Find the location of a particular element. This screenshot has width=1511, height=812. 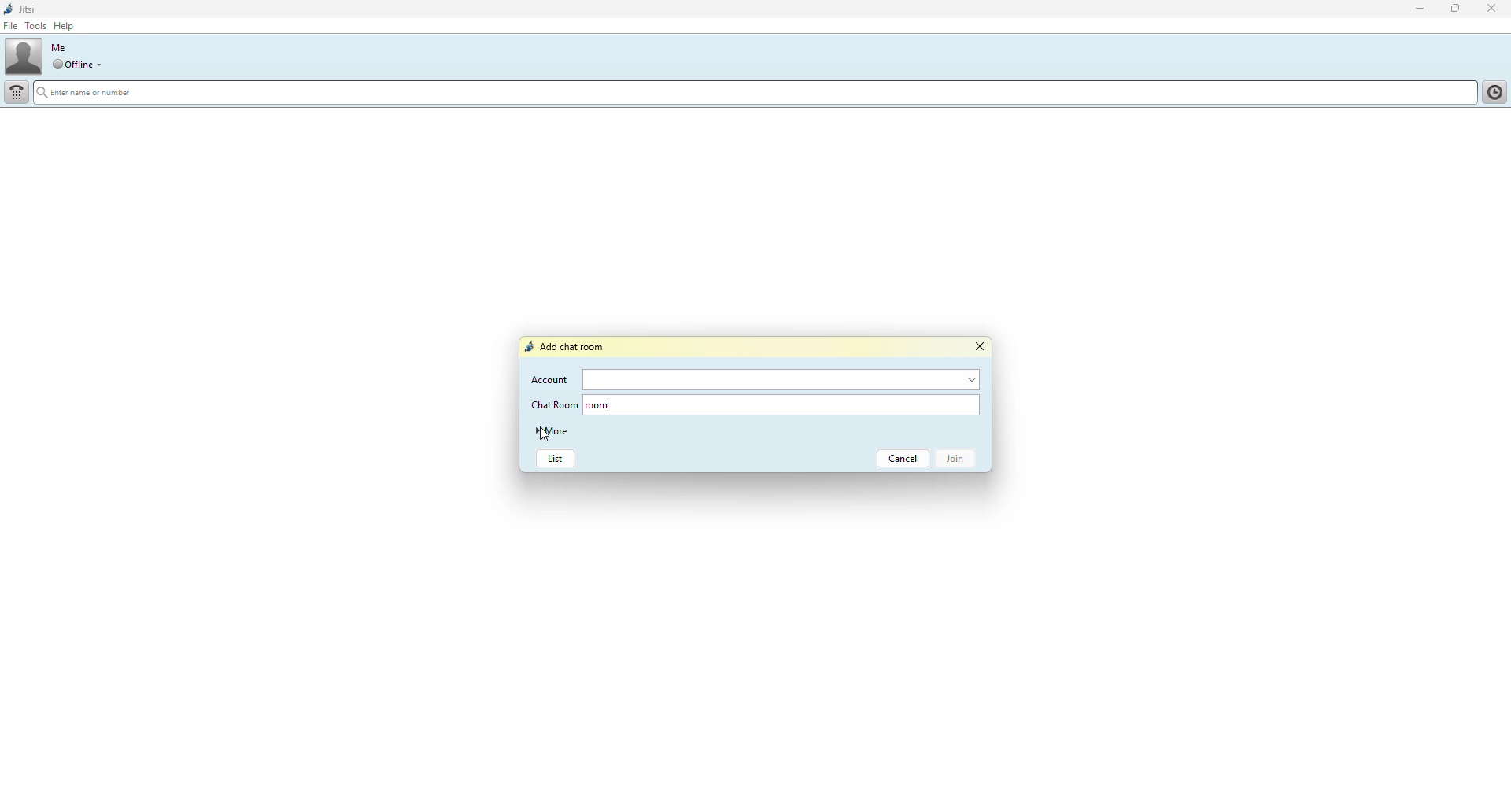

minimize is located at coordinates (1413, 9).